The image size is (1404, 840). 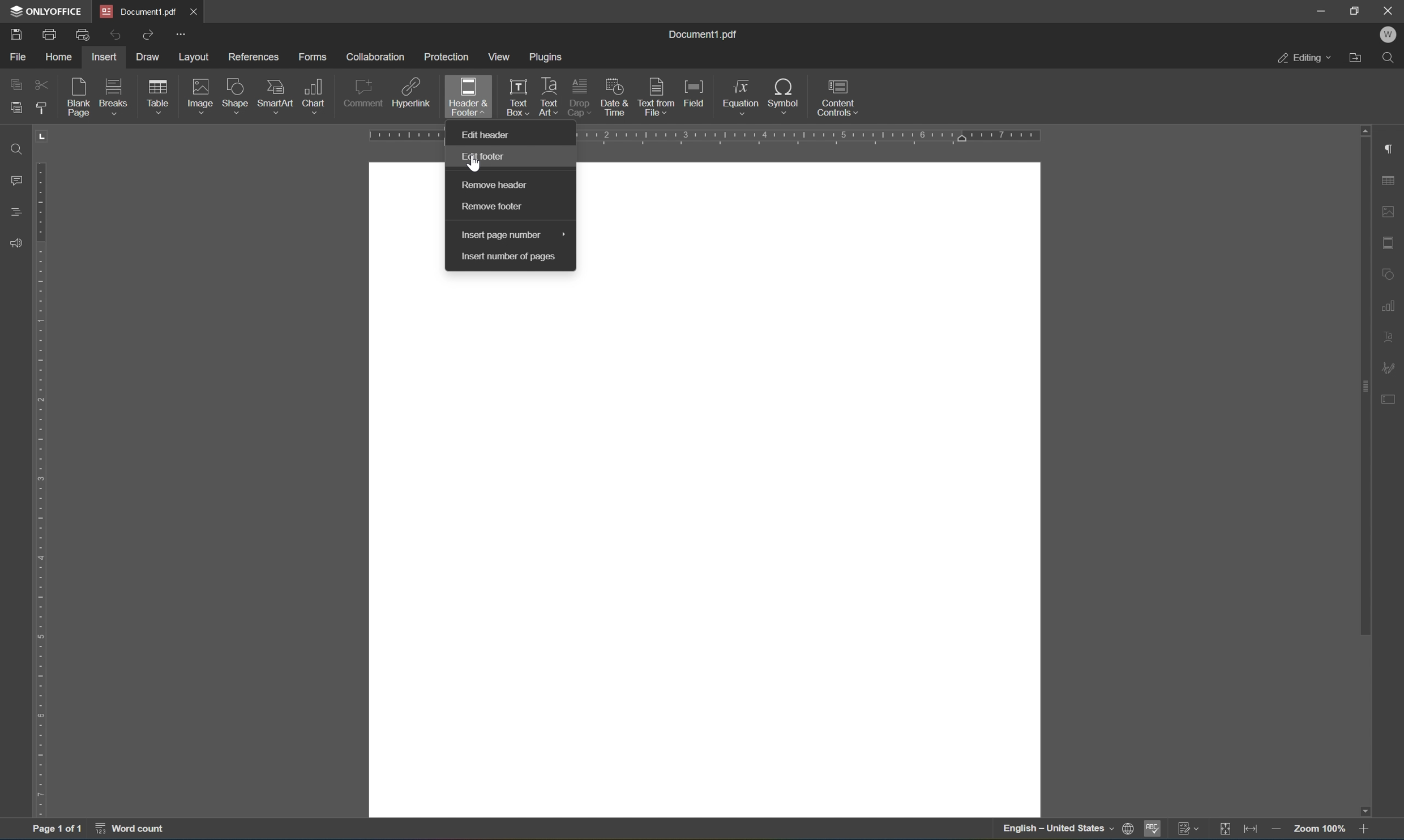 What do you see at coordinates (838, 97) in the screenshot?
I see `content controls` at bounding box center [838, 97].